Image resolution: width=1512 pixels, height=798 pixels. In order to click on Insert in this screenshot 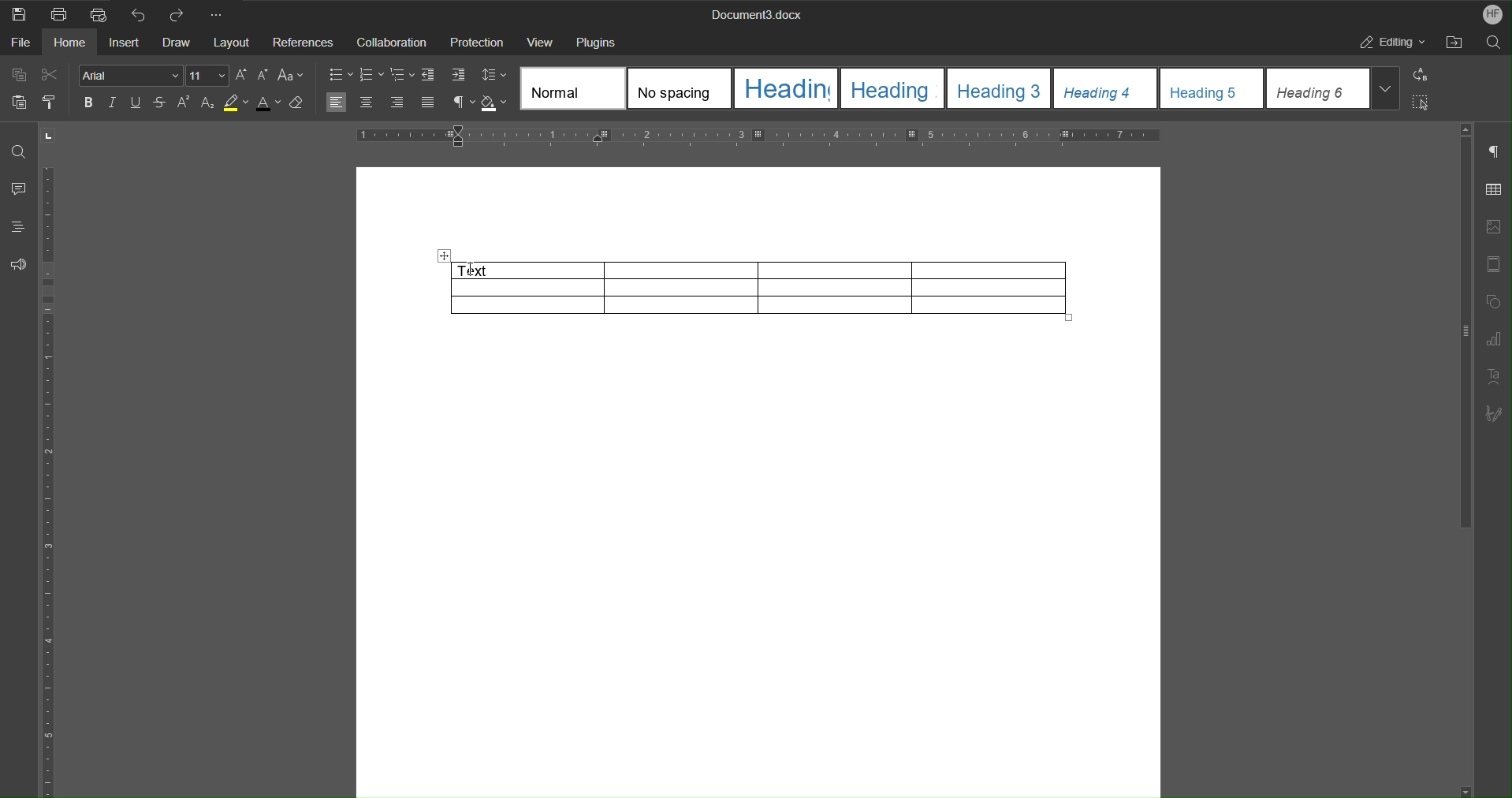, I will do `click(124, 42)`.